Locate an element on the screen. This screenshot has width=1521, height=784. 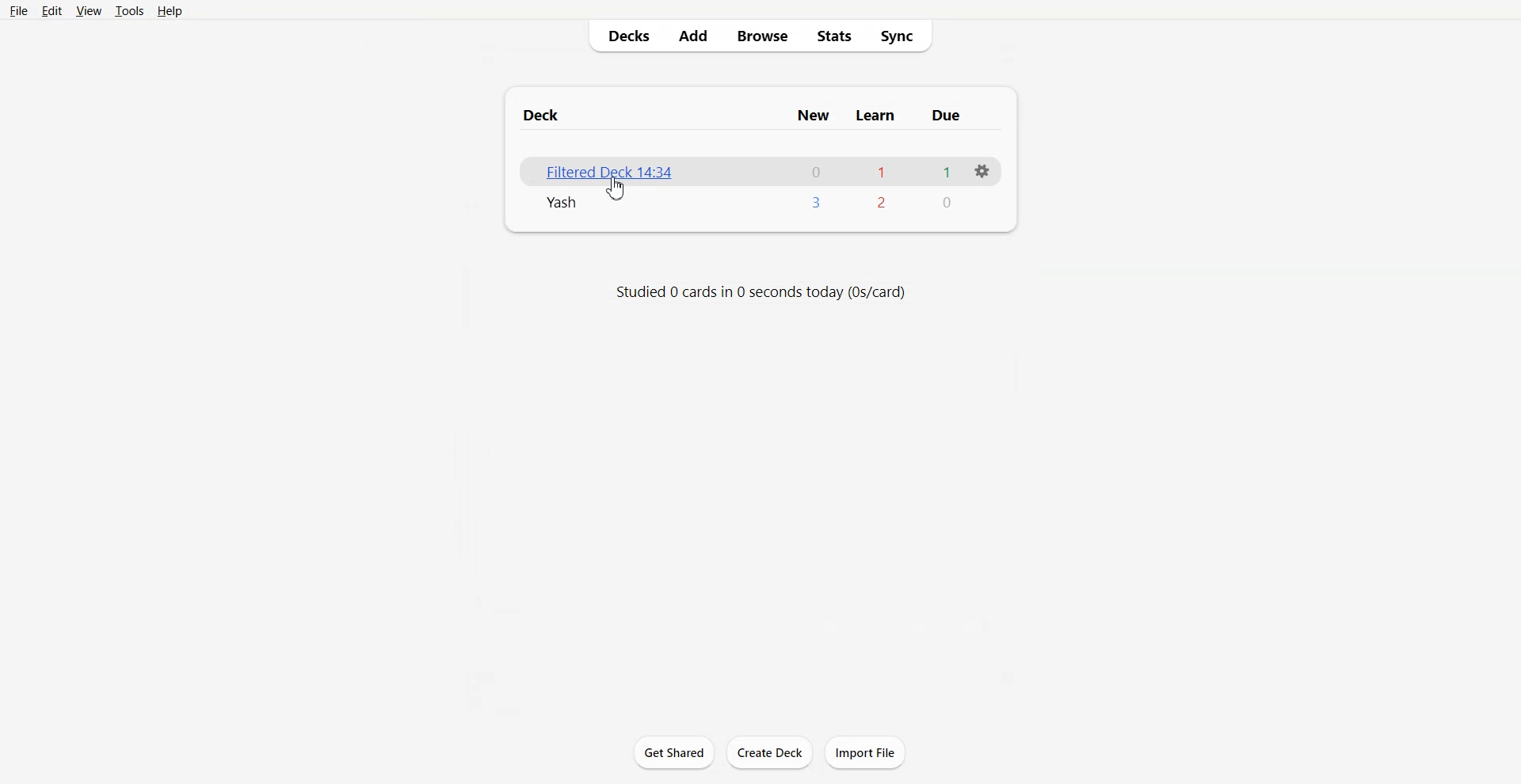
0 is located at coordinates (816, 171).